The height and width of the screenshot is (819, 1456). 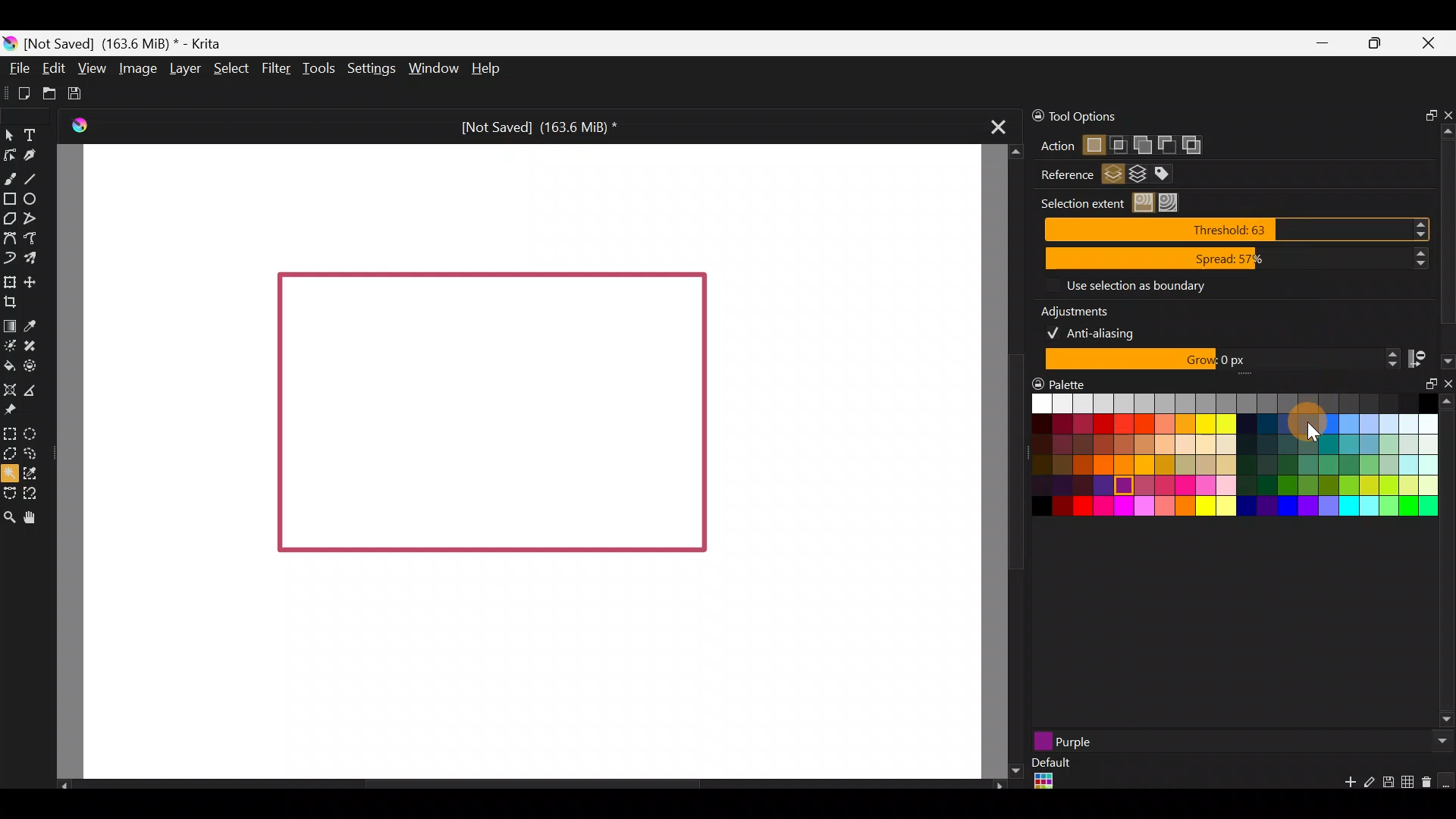 What do you see at coordinates (1433, 45) in the screenshot?
I see `Close` at bounding box center [1433, 45].